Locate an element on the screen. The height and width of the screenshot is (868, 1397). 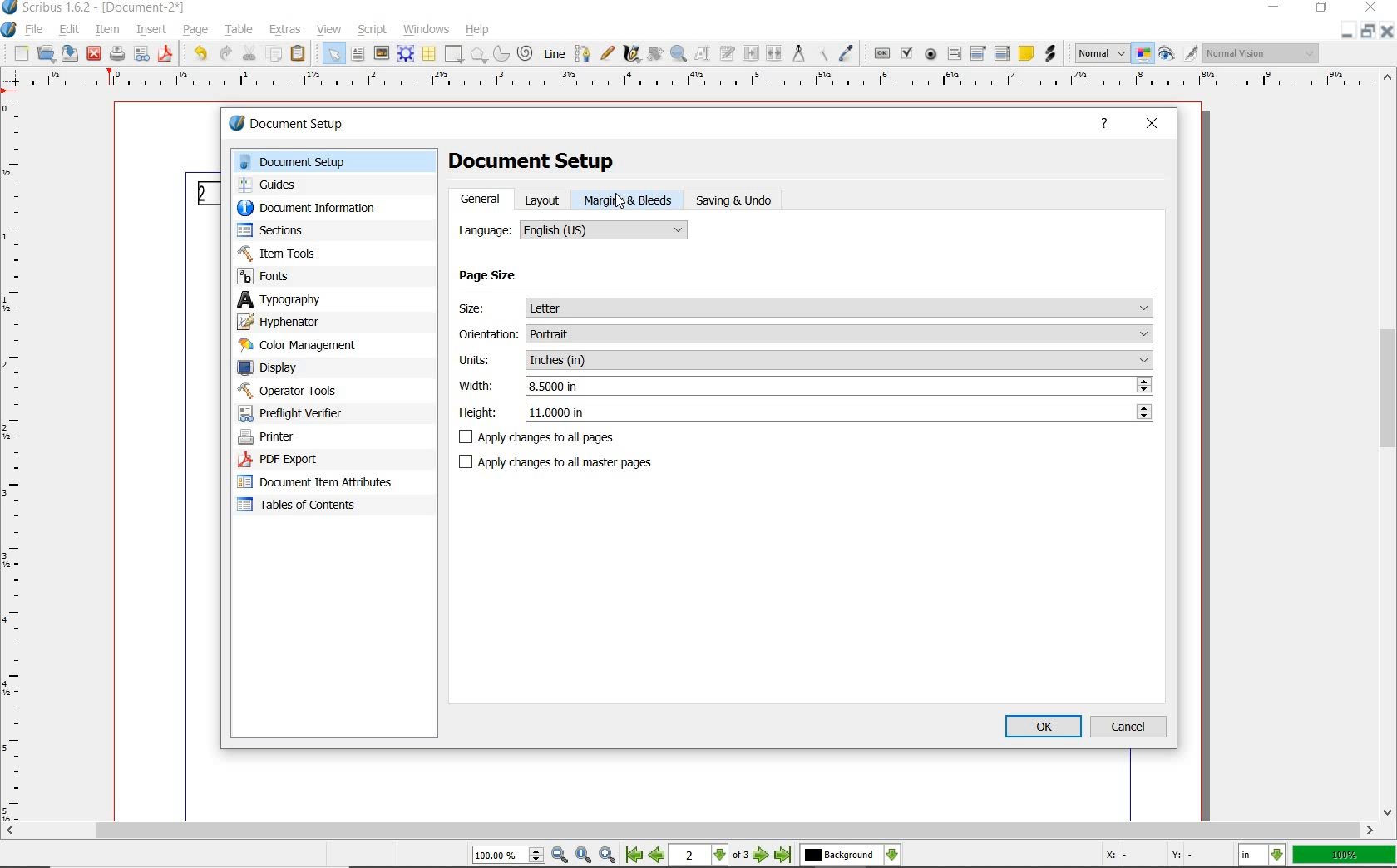
pdf export is located at coordinates (298, 460).